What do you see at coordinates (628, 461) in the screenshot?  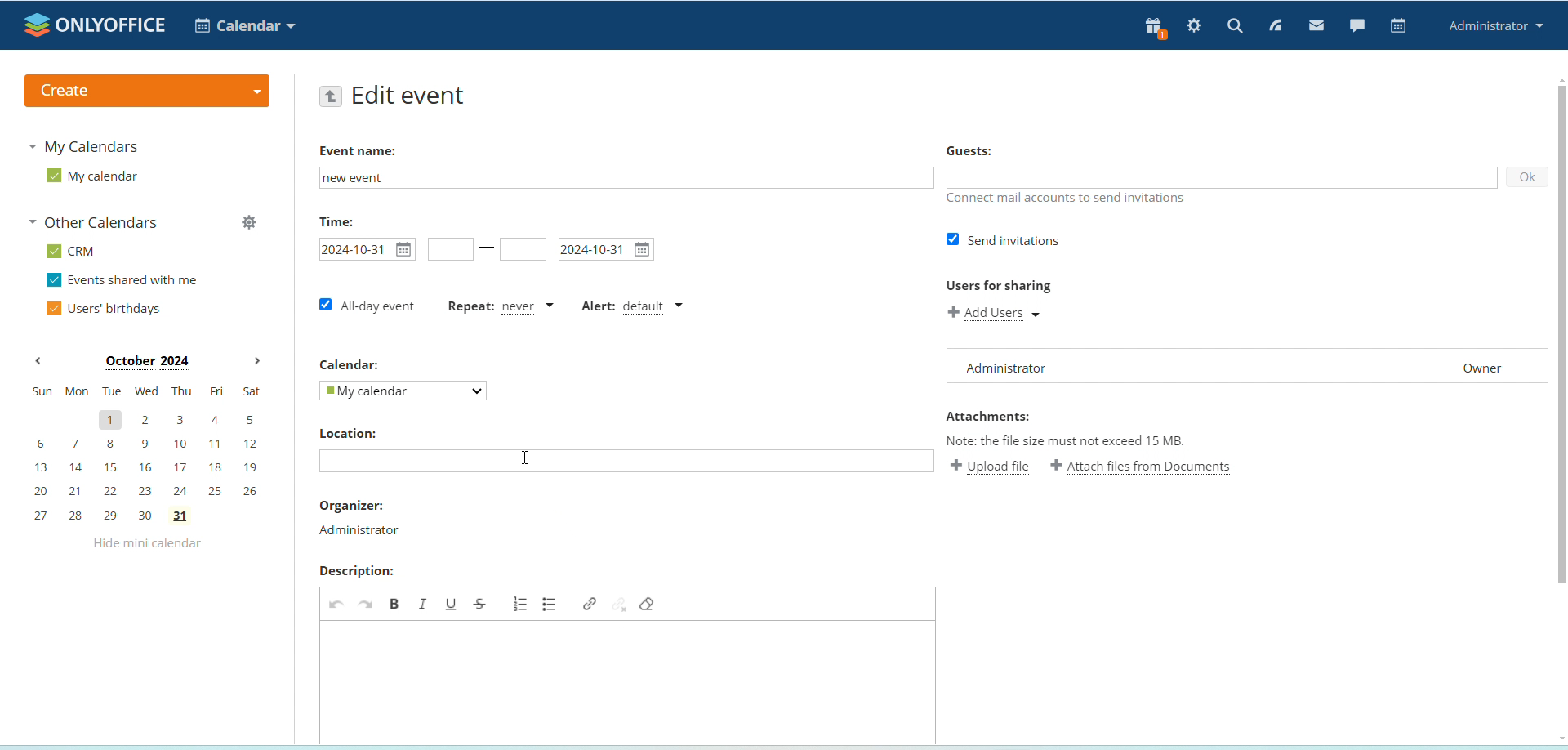 I see `edit location field selected` at bounding box center [628, 461].